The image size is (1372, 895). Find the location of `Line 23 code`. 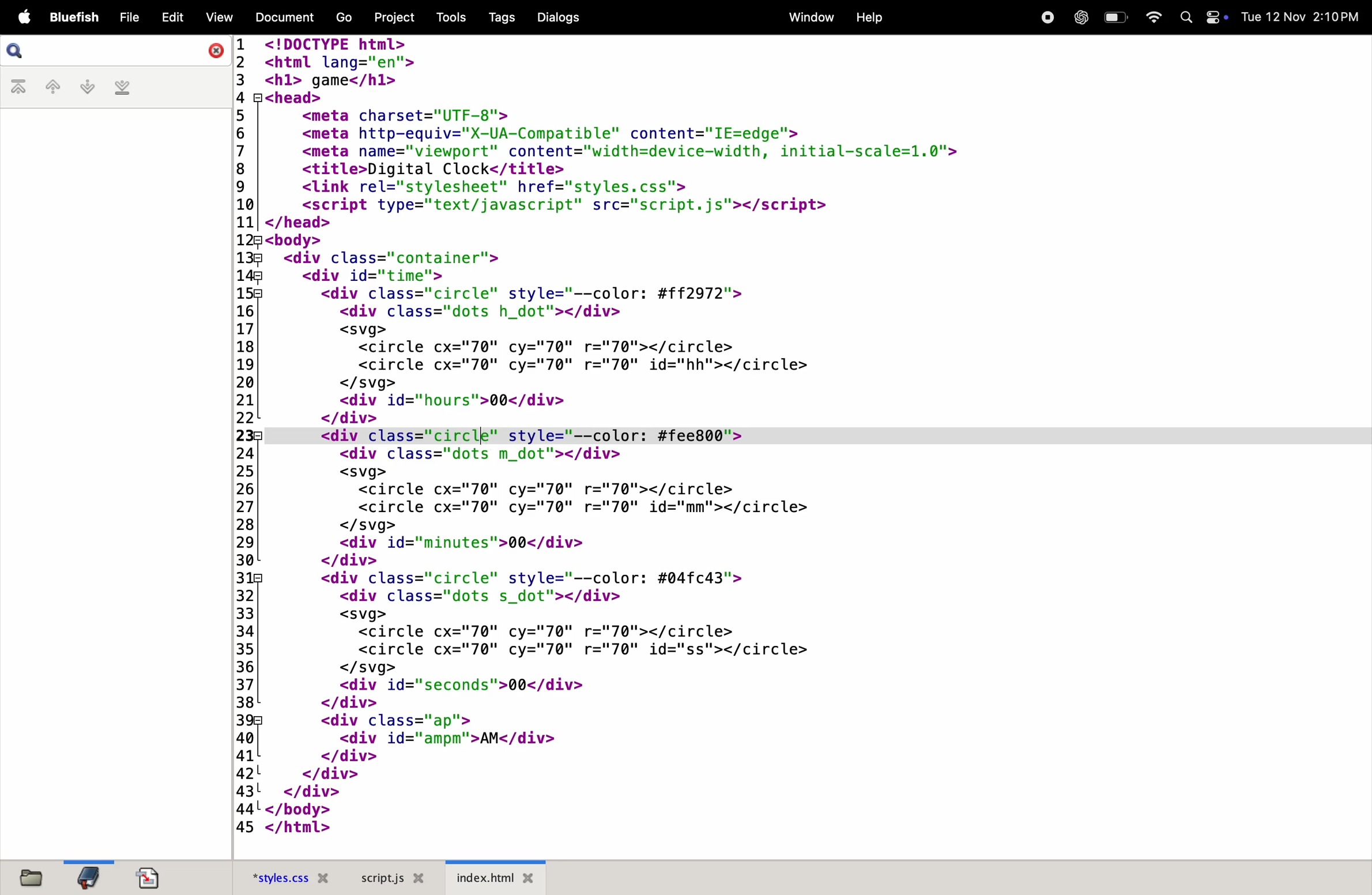

Line 23 code is located at coordinates (687, 434).